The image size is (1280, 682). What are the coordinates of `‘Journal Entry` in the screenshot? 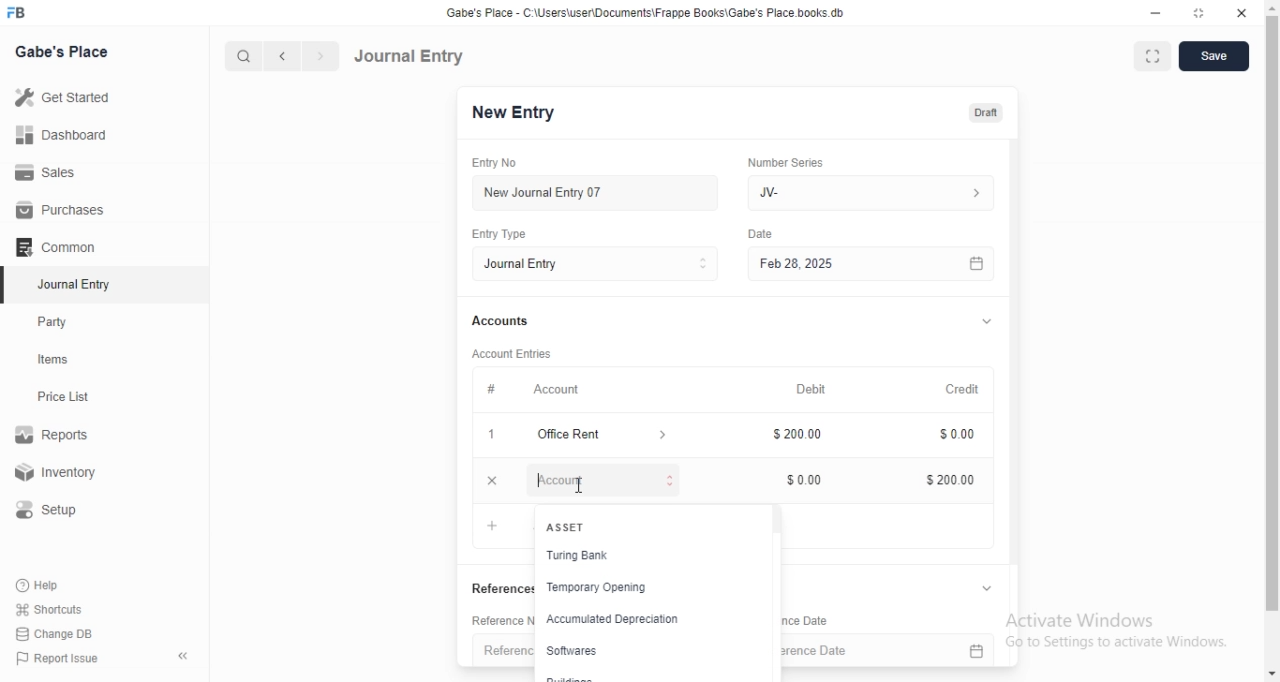 It's located at (77, 284).